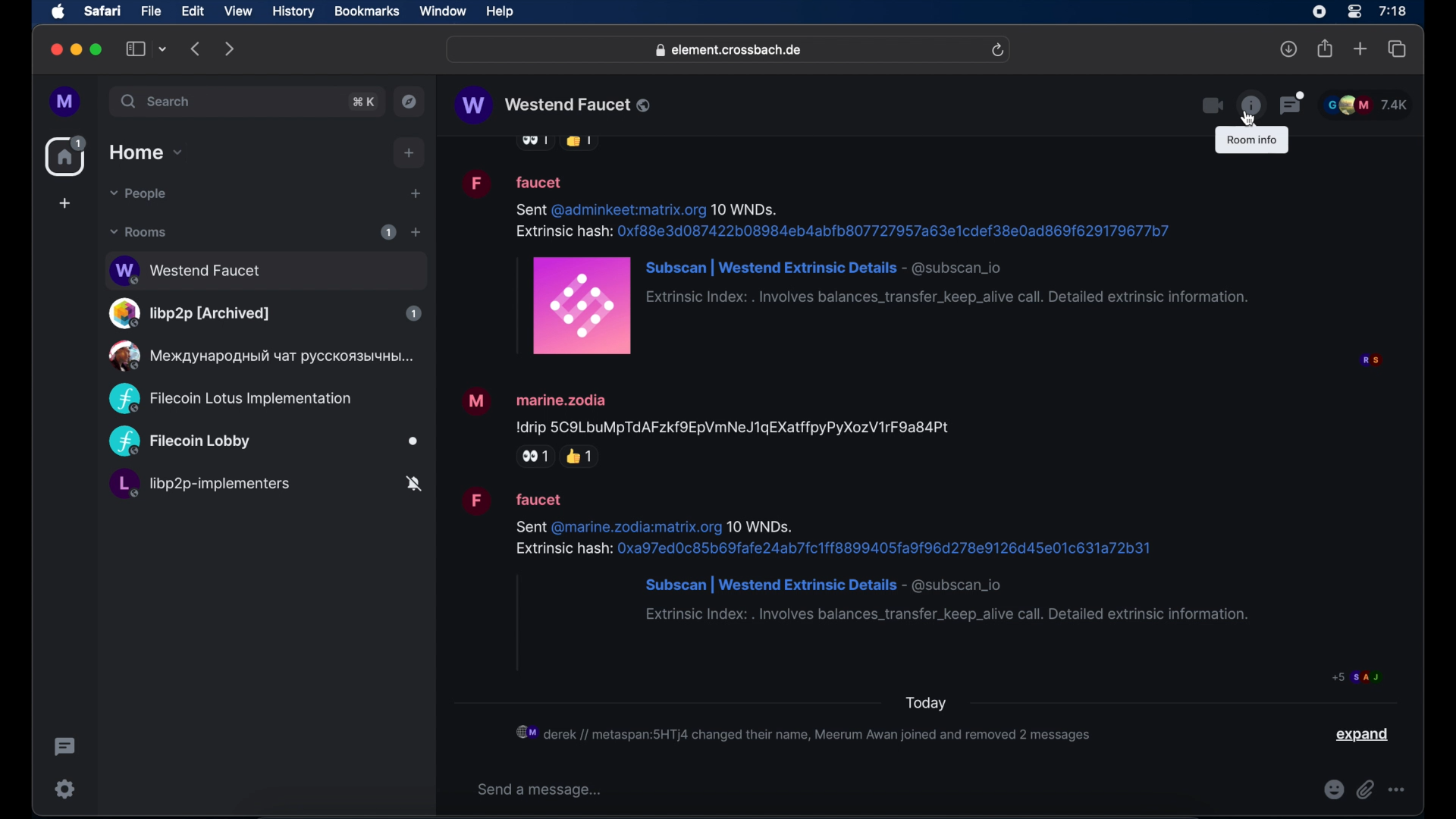 This screenshot has width=1456, height=819. I want to click on view, so click(237, 11).